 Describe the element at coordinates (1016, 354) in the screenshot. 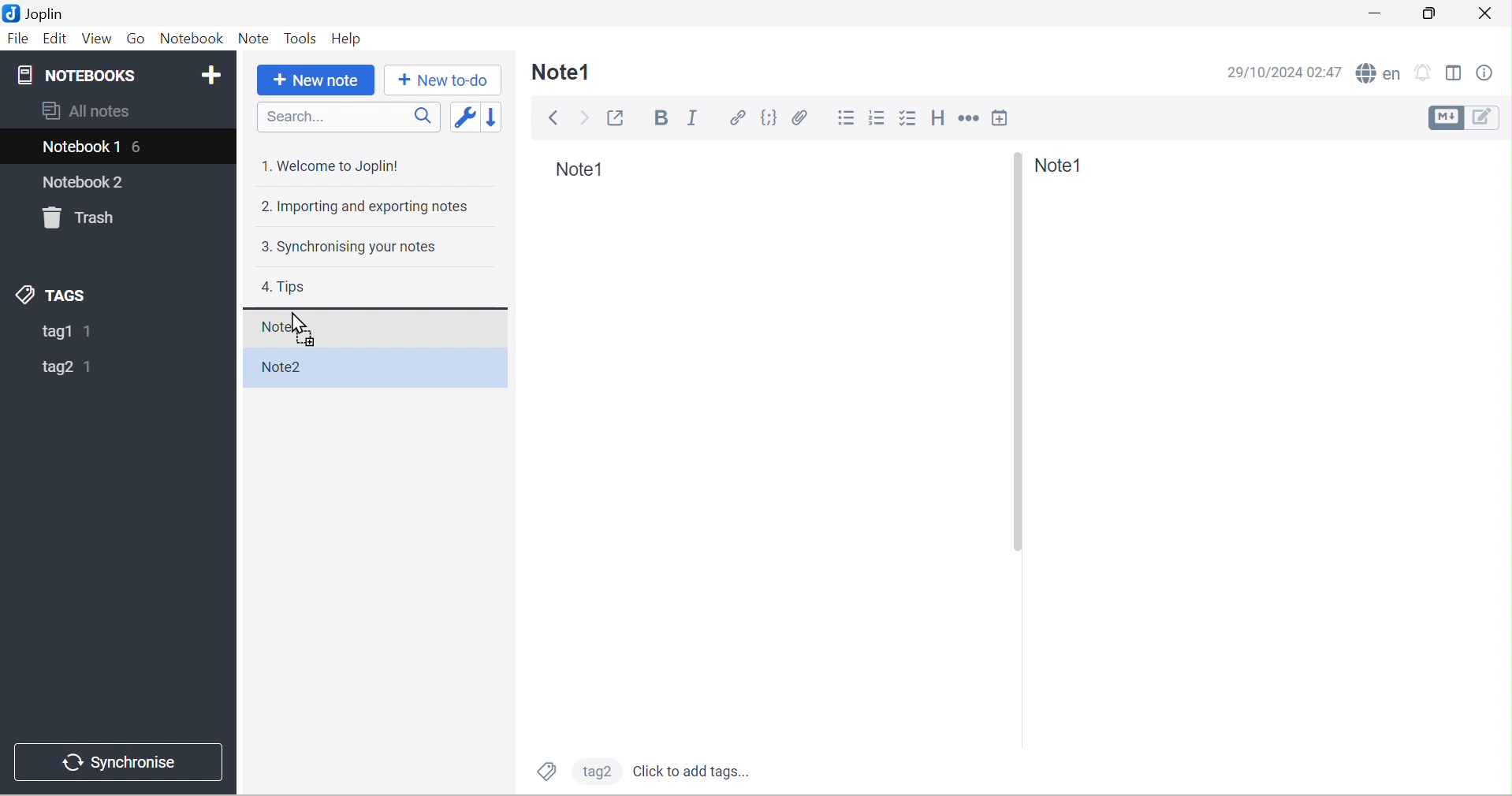

I see `` at that location.